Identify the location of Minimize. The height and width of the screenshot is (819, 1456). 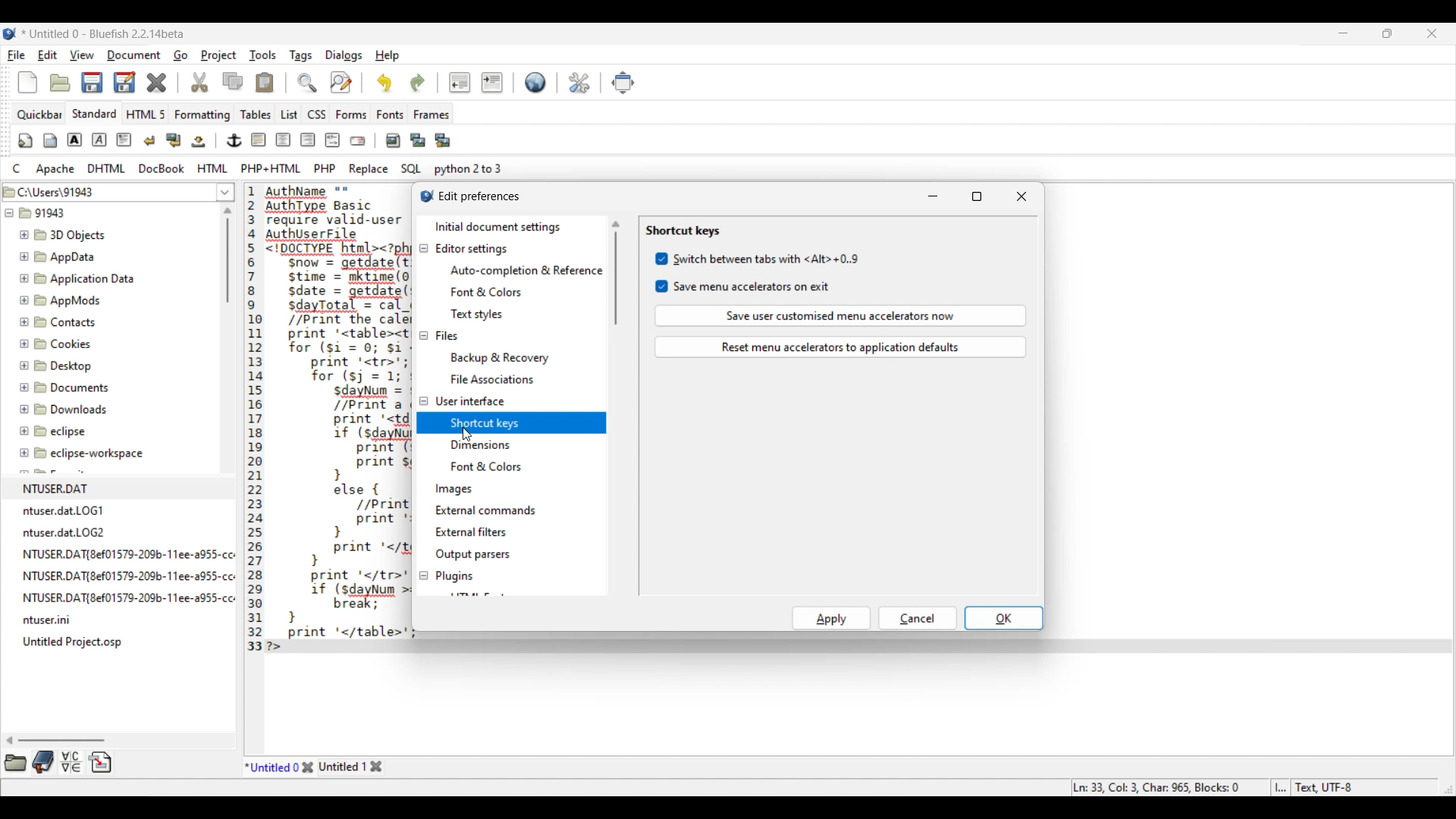
(1344, 33).